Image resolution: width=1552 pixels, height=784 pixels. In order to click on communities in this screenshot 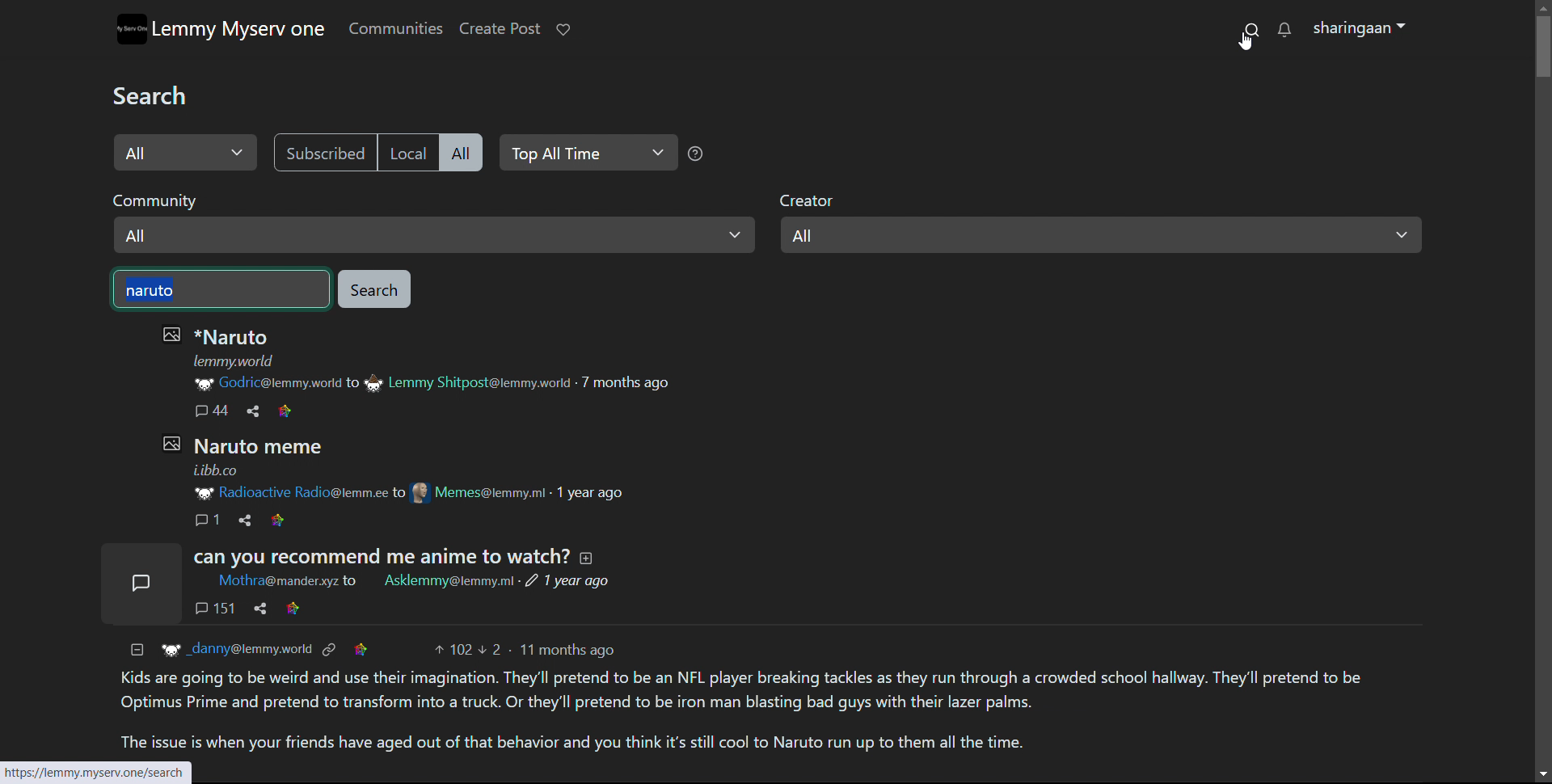, I will do `click(394, 28)`.